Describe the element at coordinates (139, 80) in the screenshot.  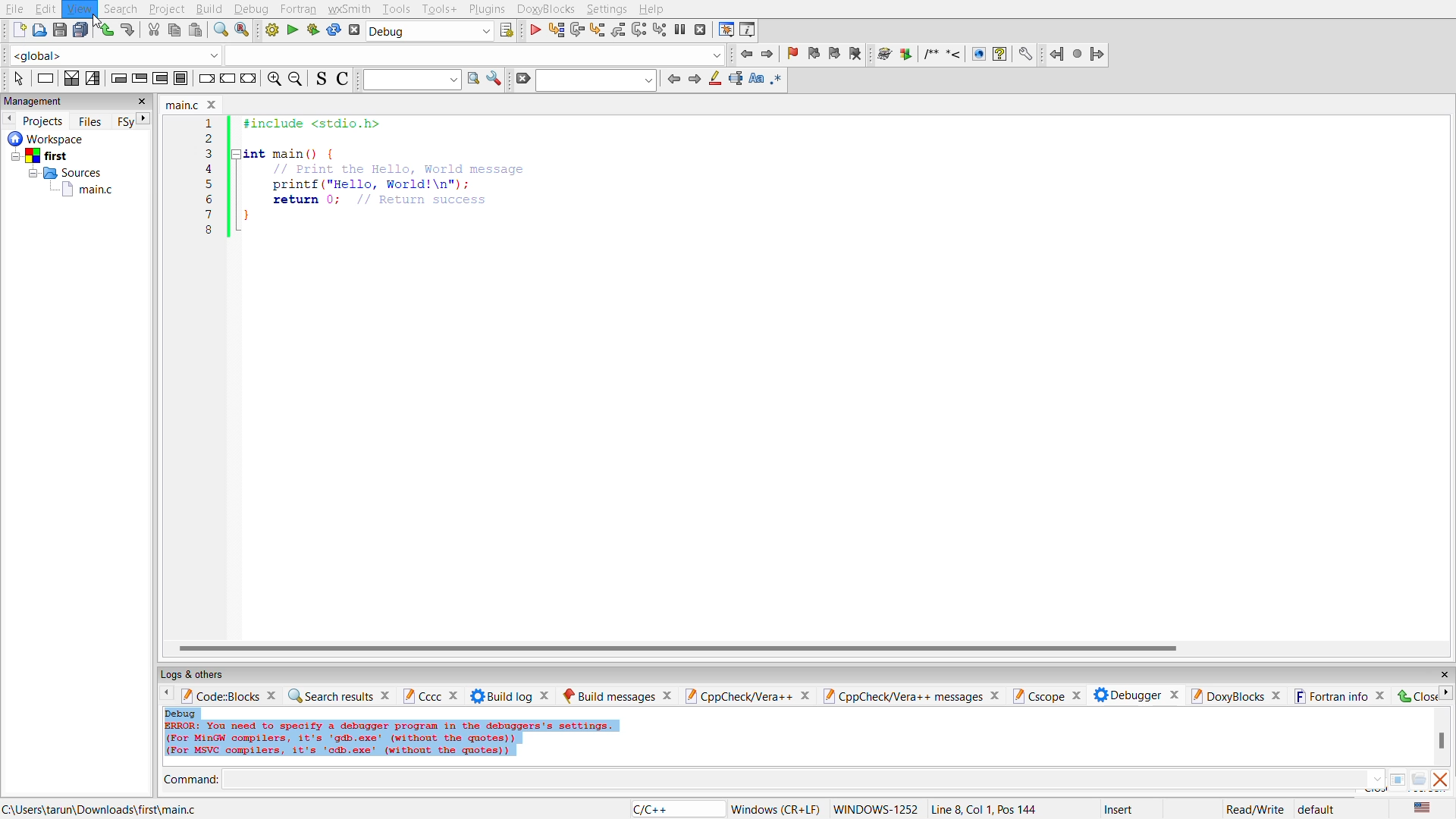
I see `exit condition loop` at that location.